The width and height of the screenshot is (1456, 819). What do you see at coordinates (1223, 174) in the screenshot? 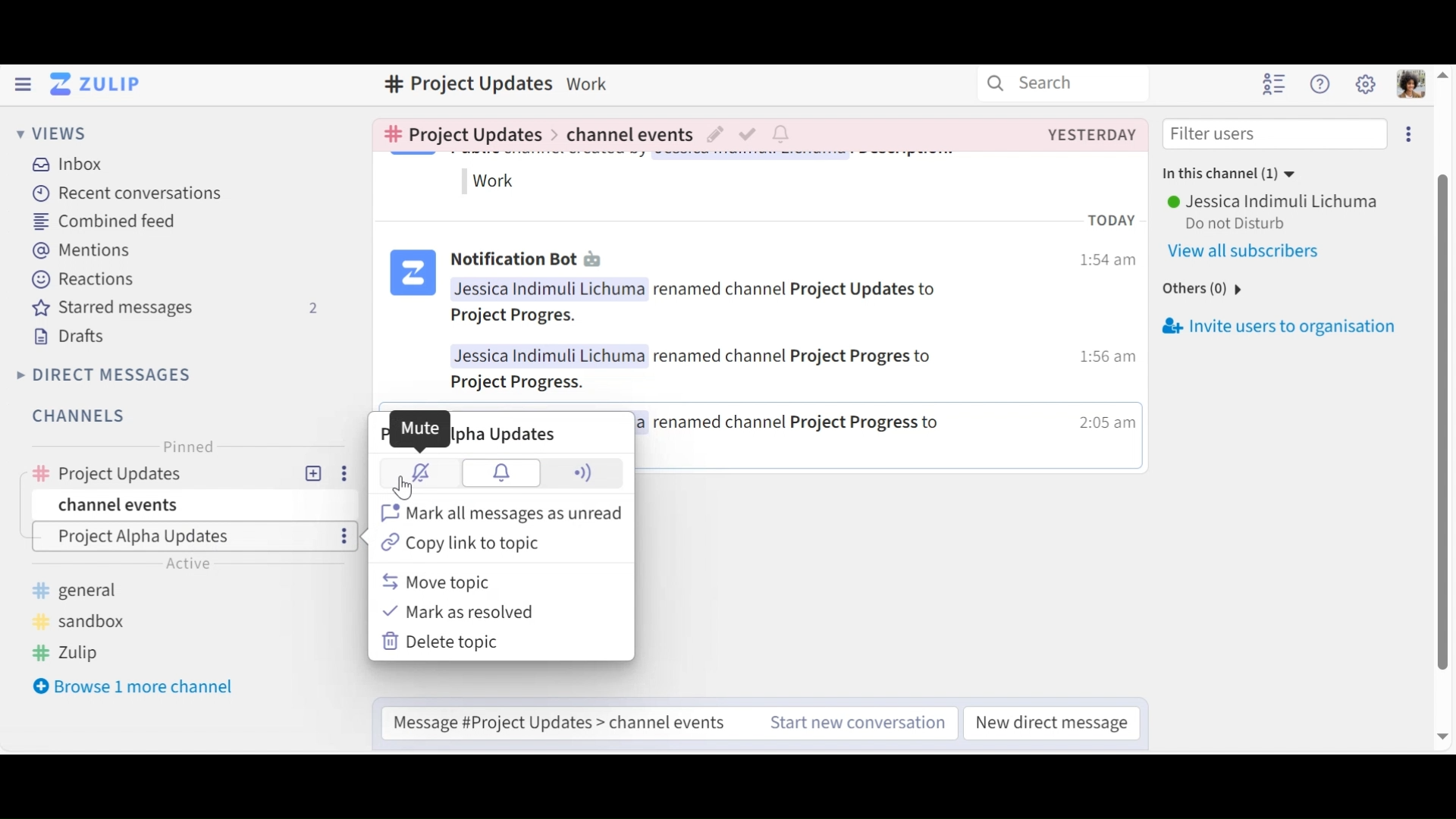
I see `In this channel (1)` at bounding box center [1223, 174].